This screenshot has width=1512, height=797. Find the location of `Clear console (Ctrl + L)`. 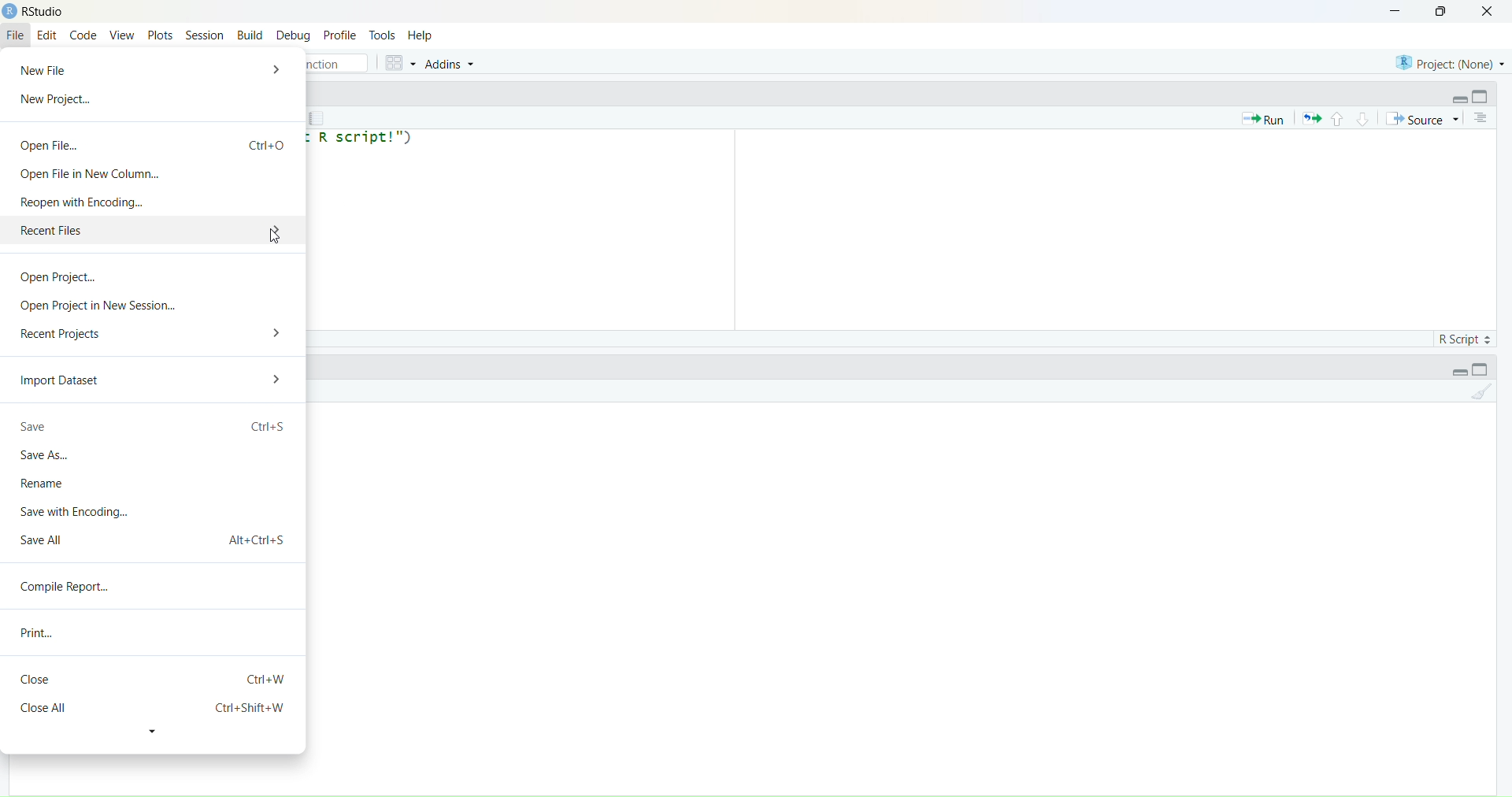

Clear console (Ctrl + L) is located at coordinates (1477, 396).